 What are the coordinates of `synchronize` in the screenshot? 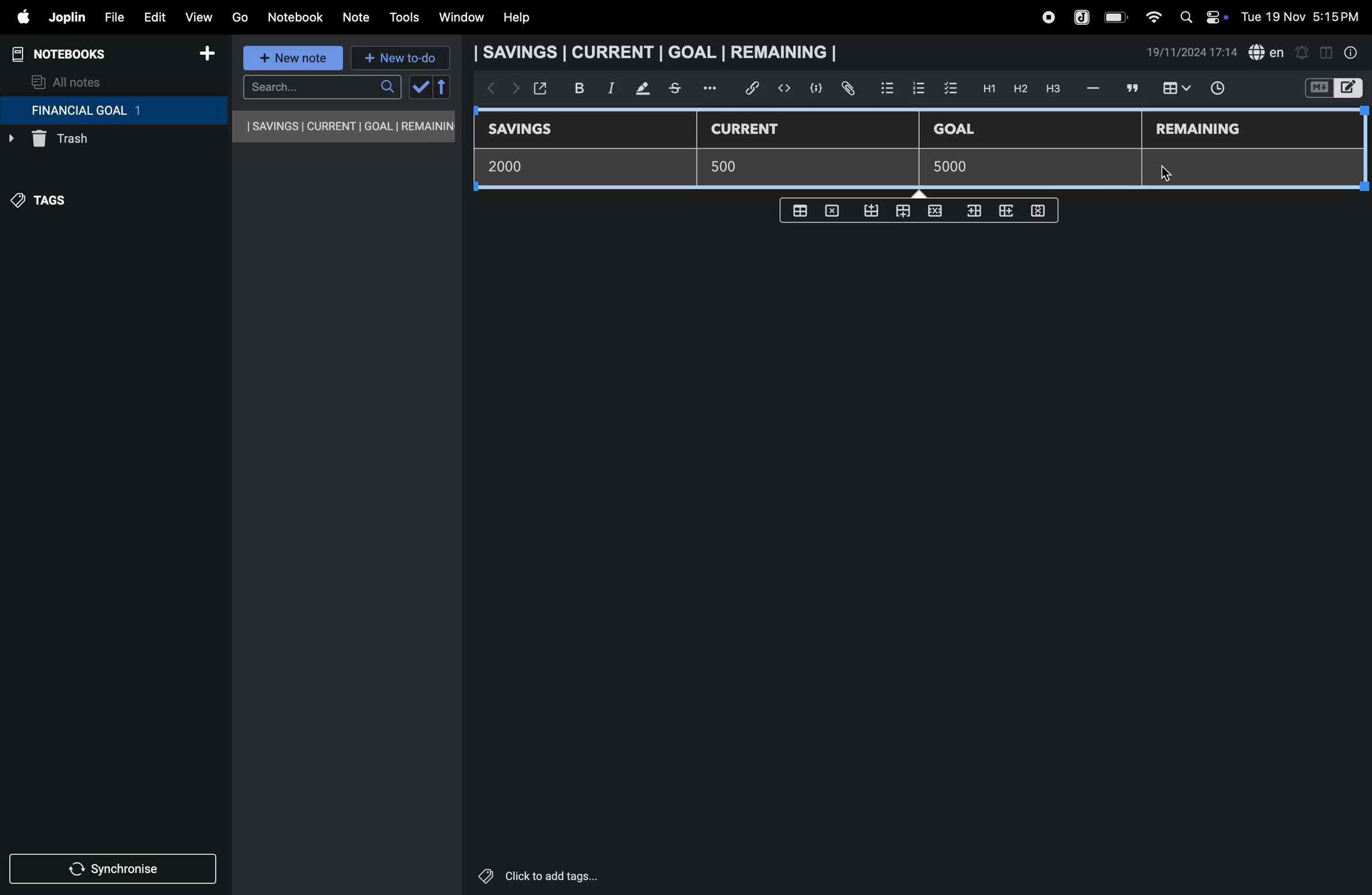 It's located at (114, 867).